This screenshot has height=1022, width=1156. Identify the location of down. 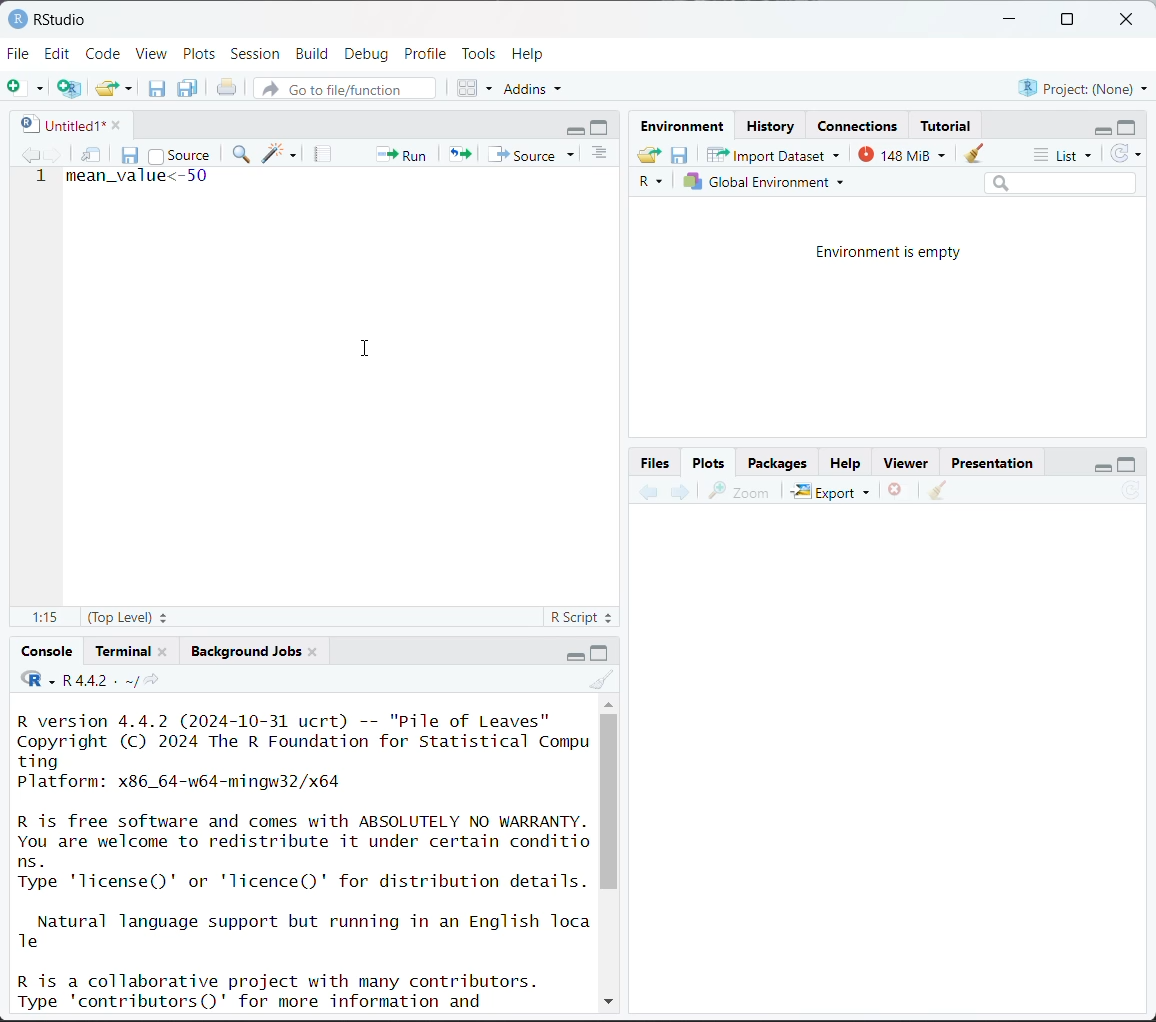
(607, 998).